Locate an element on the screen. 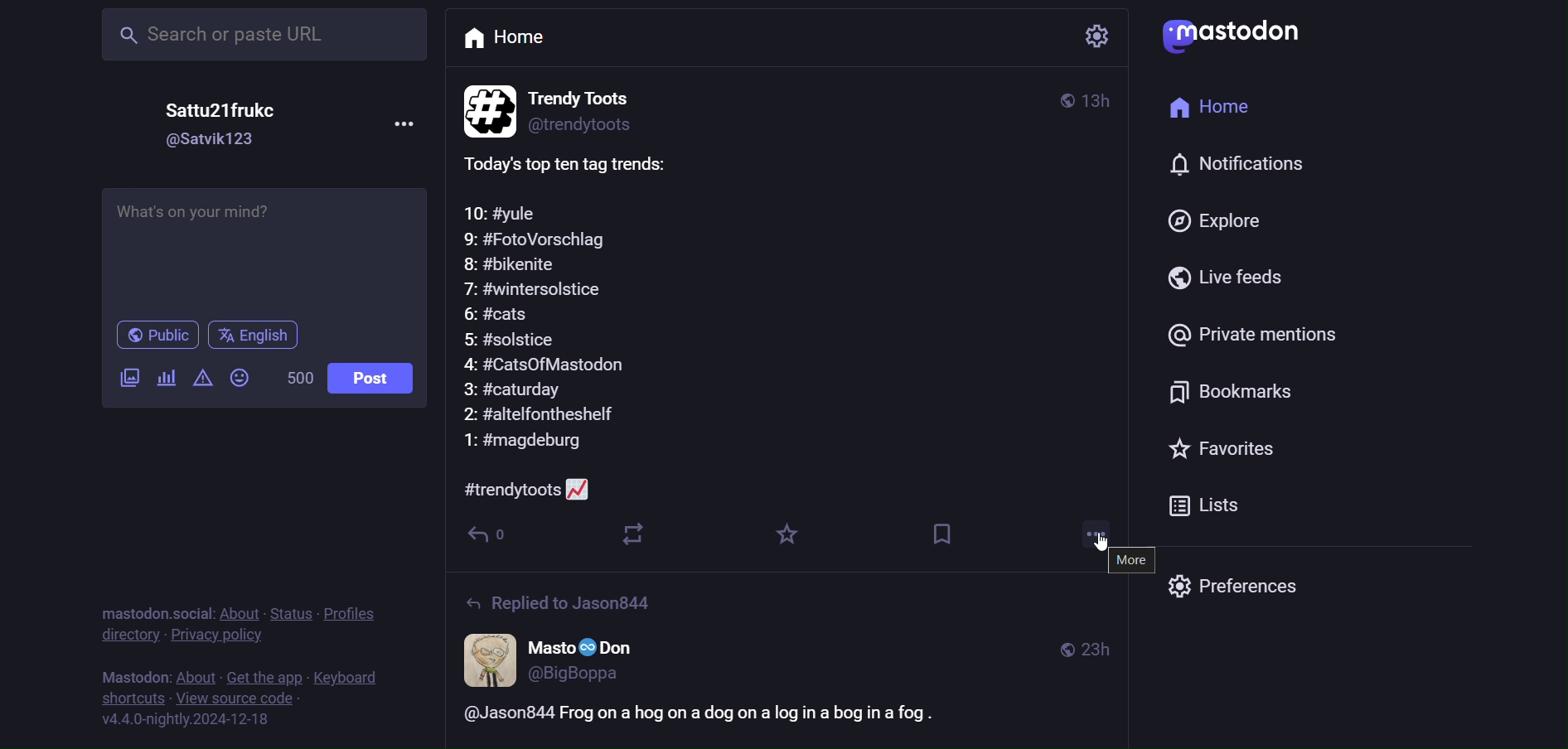 This screenshot has width=1568, height=749. profiles is located at coordinates (358, 613).